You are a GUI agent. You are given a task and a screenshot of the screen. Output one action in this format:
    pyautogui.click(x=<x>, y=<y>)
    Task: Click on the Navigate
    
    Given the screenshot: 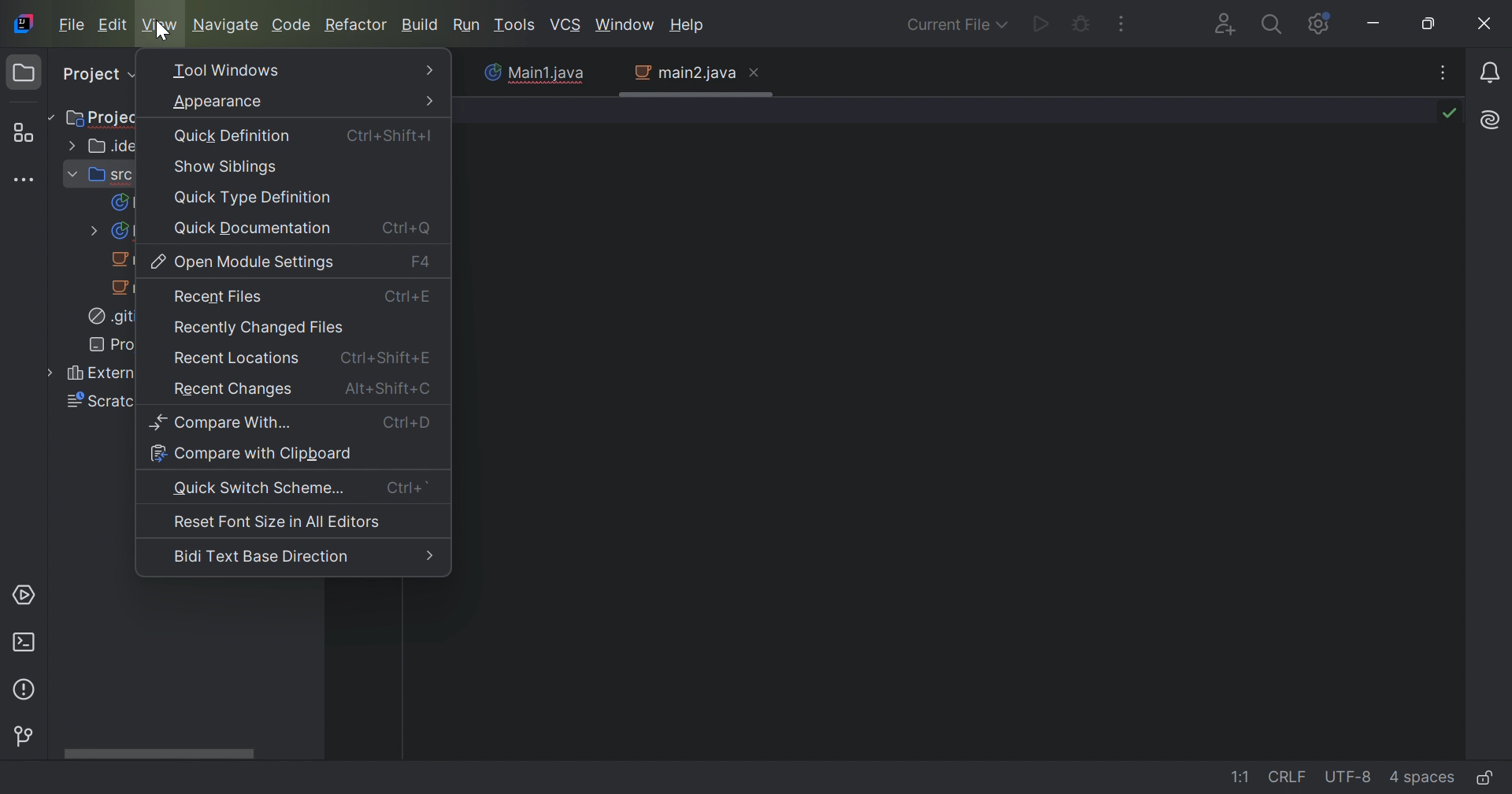 What is the action you would take?
    pyautogui.click(x=225, y=24)
    